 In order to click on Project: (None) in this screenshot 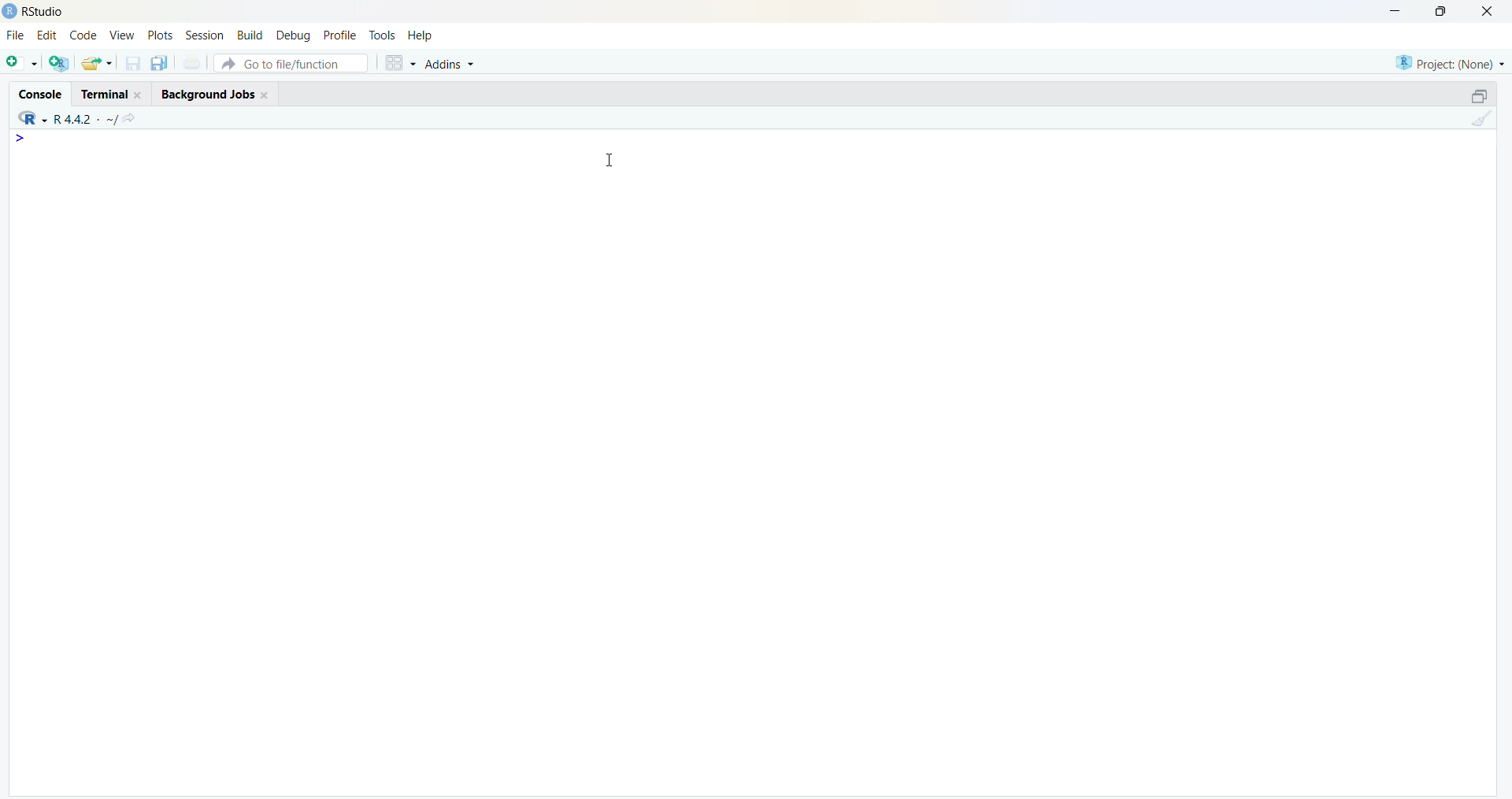, I will do `click(1450, 63)`.